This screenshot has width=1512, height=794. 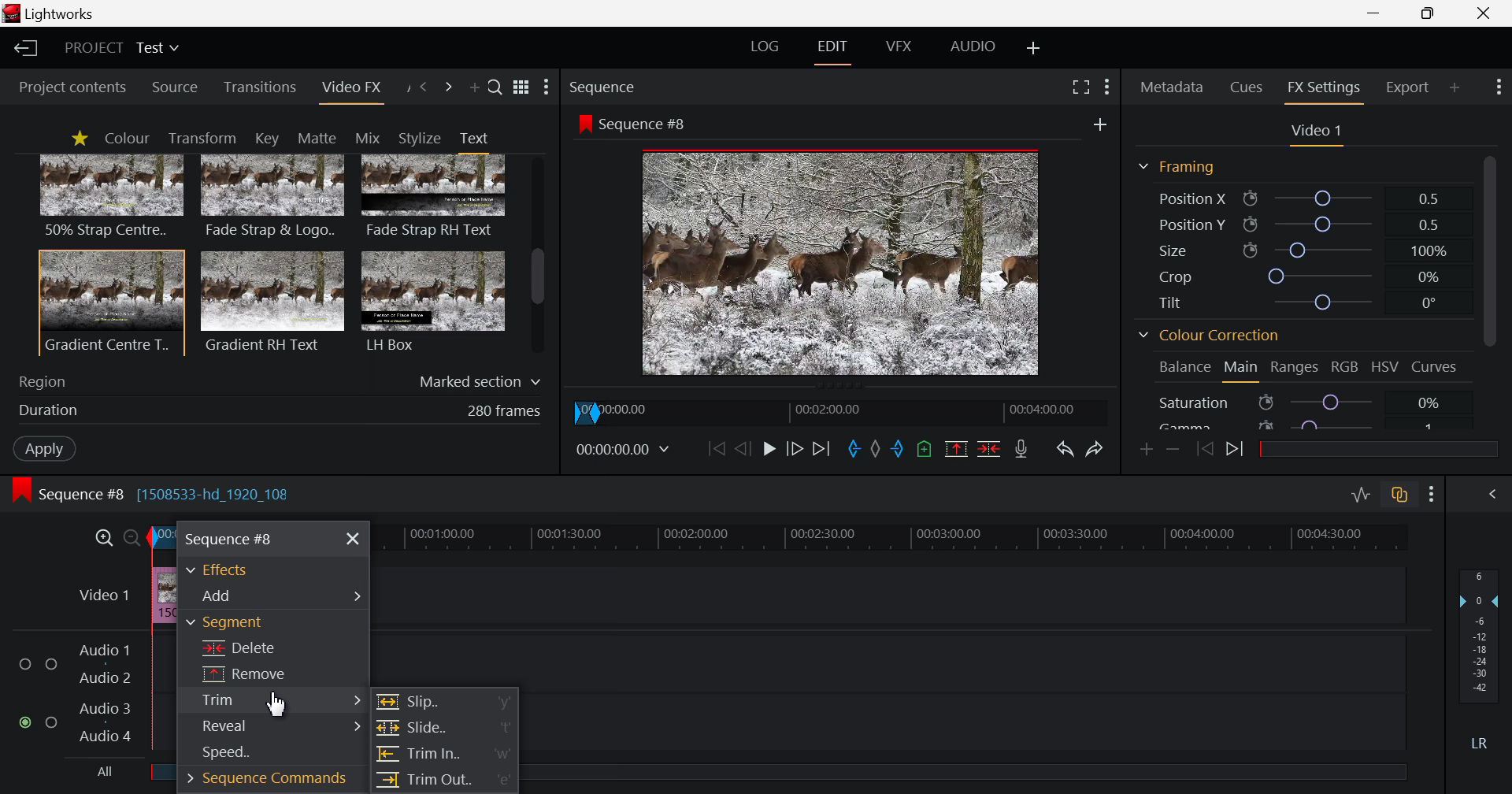 I want to click on Reveal, so click(x=270, y=728).